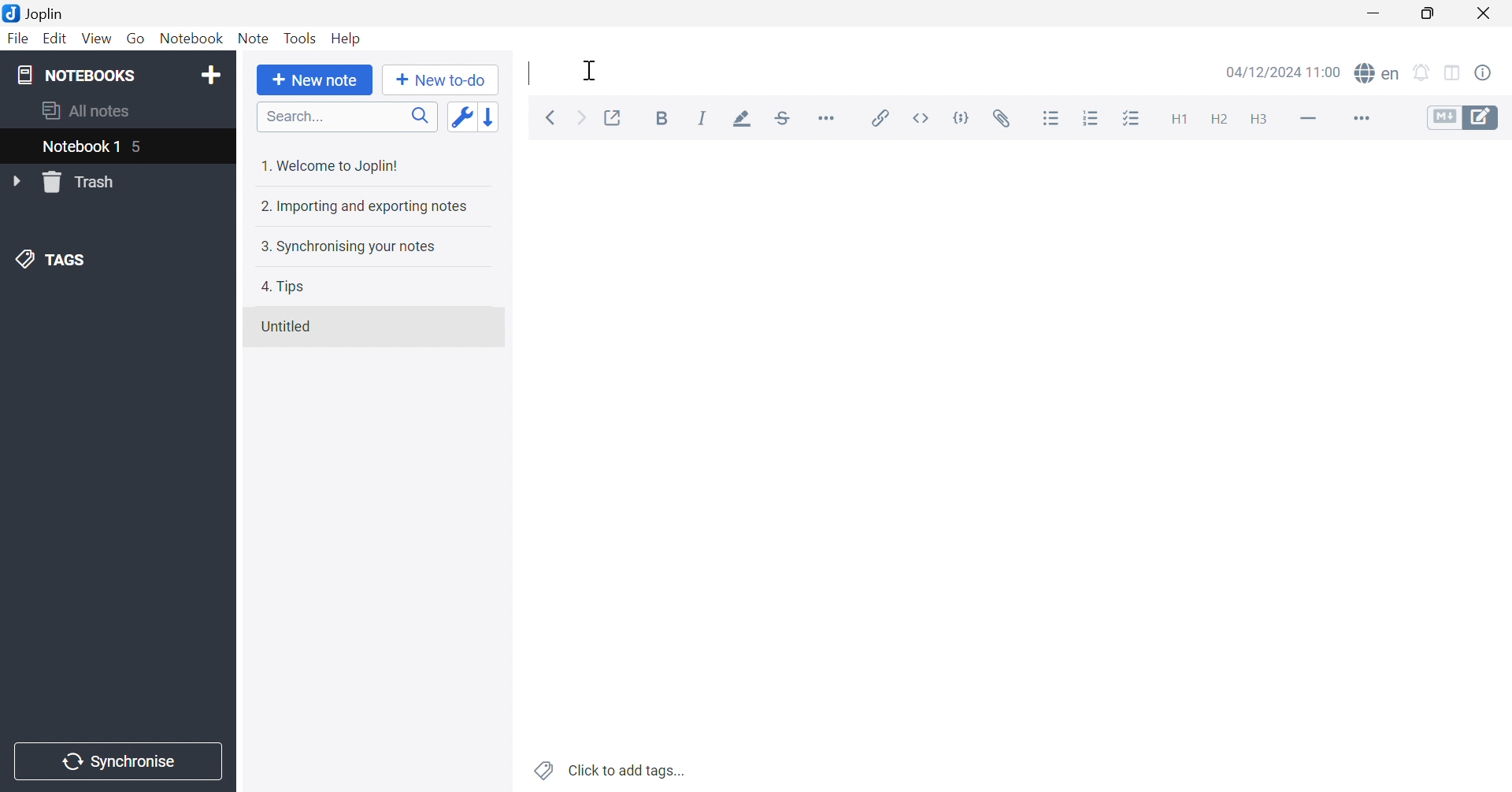 The height and width of the screenshot is (792, 1512). What do you see at coordinates (211, 73) in the screenshot?
I see `Add notebook` at bounding box center [211, 73].